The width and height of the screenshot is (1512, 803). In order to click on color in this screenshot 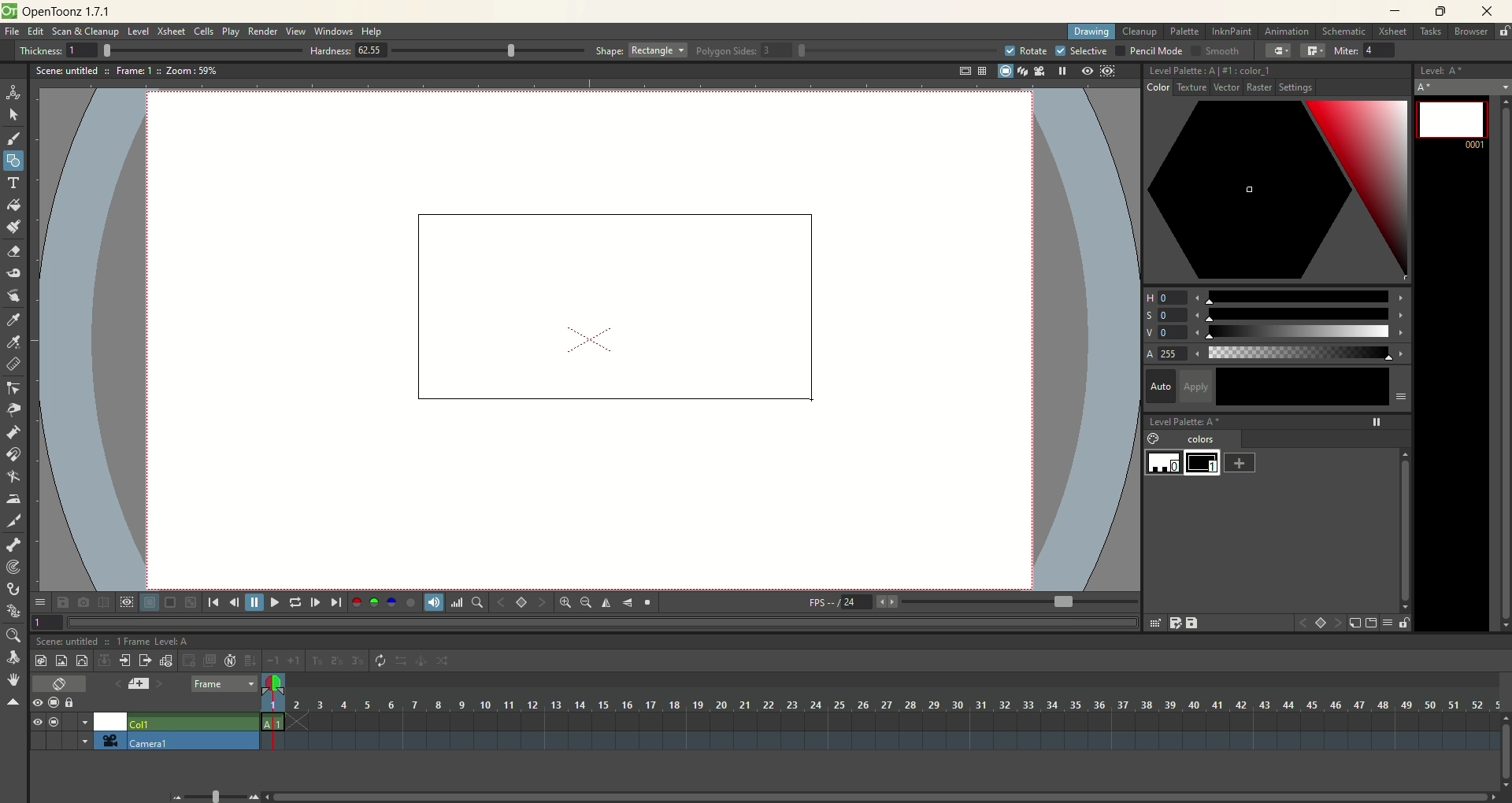, I will do `click(1165, 90)`.